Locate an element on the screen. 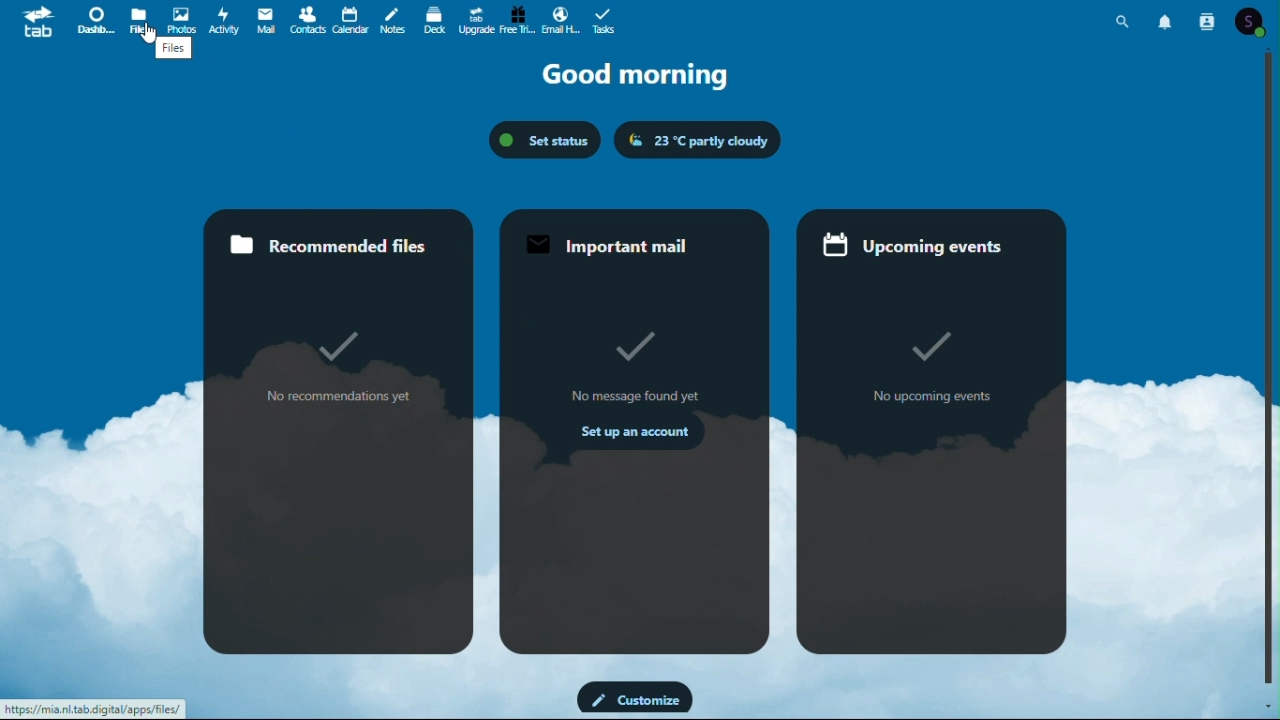  Contacts is located at coordinates (308, 18).